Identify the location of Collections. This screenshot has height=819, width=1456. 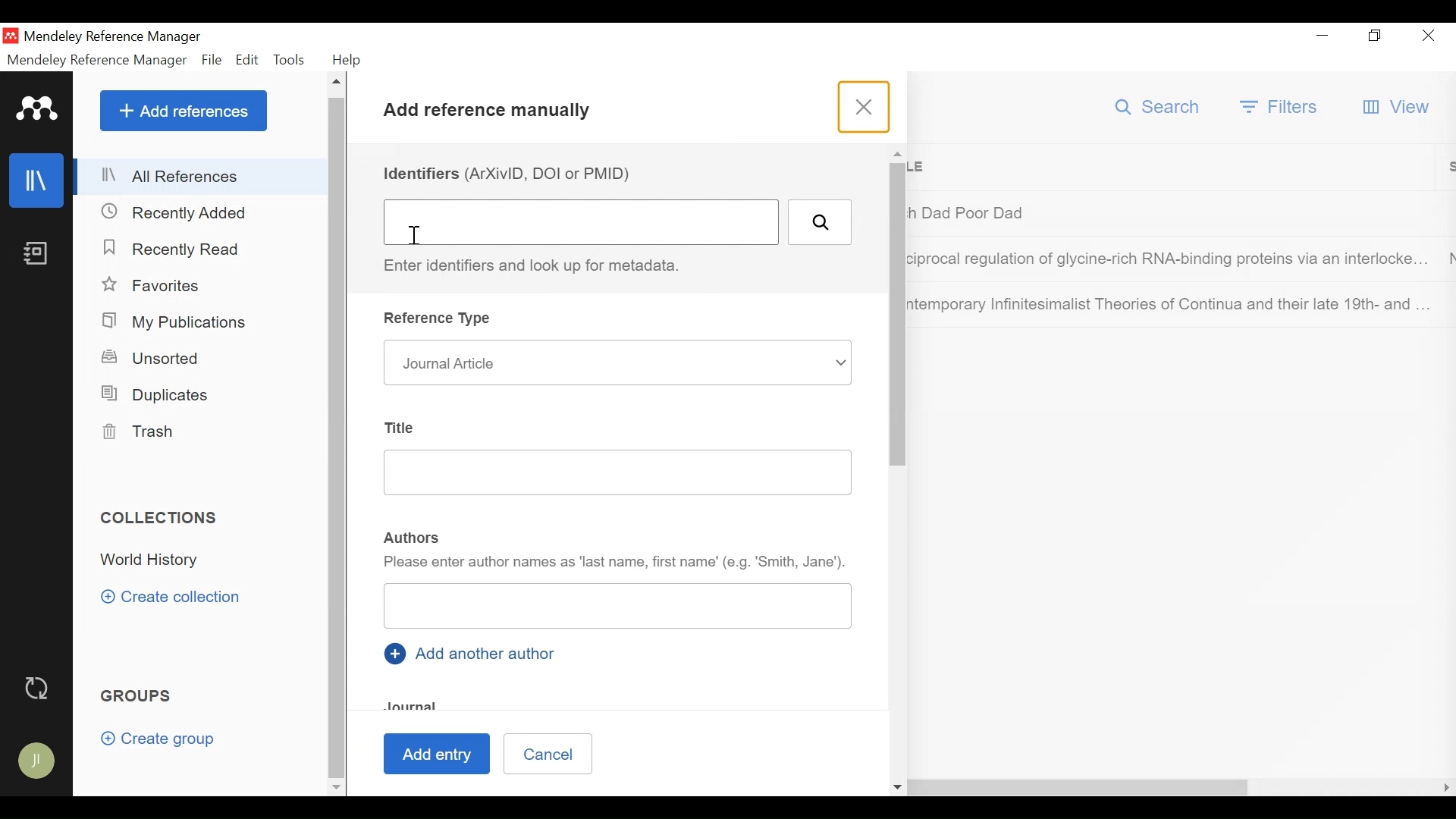
(161, 517).